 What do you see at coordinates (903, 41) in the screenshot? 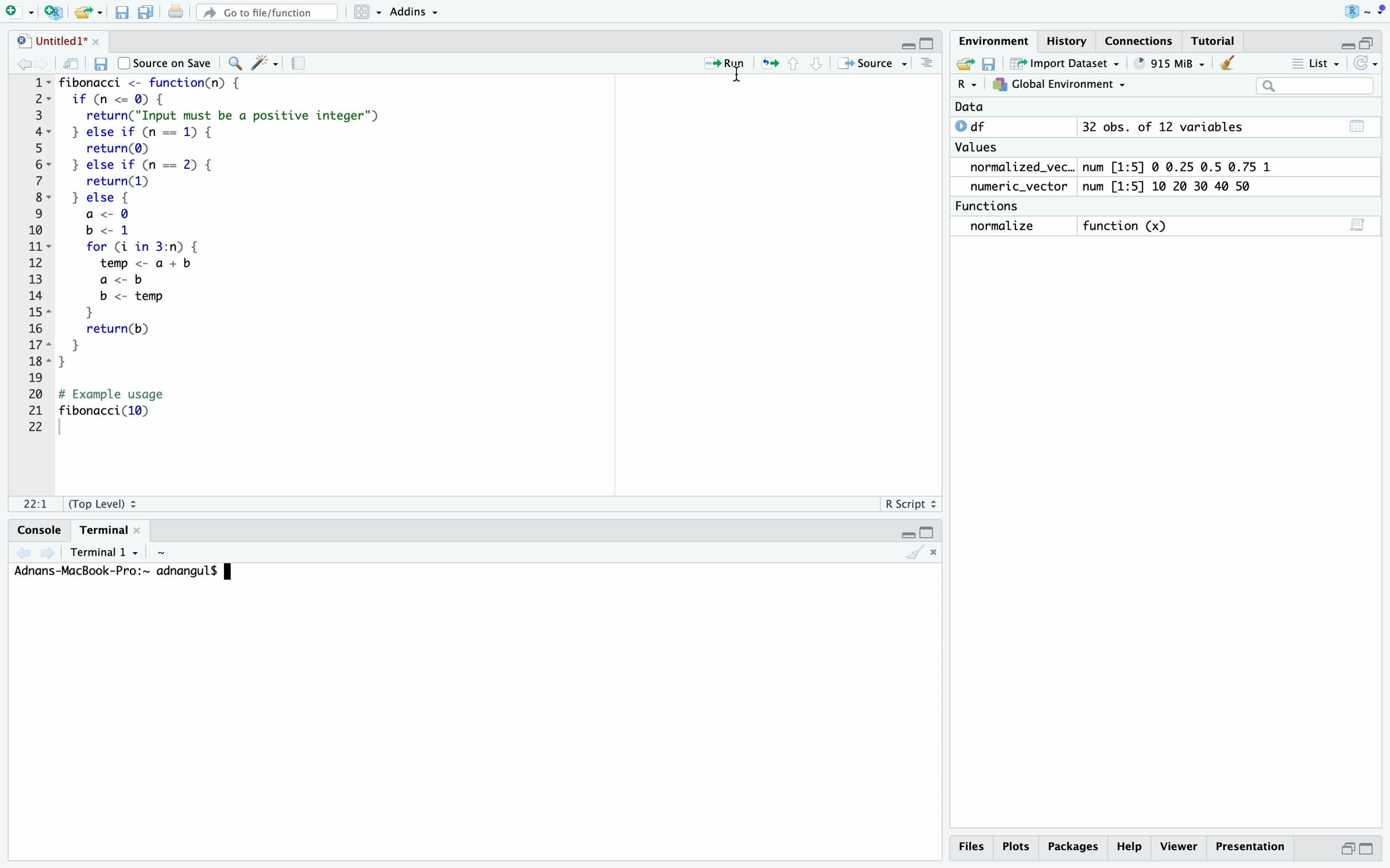
I see `minimize` at bounding box center [903, 41].